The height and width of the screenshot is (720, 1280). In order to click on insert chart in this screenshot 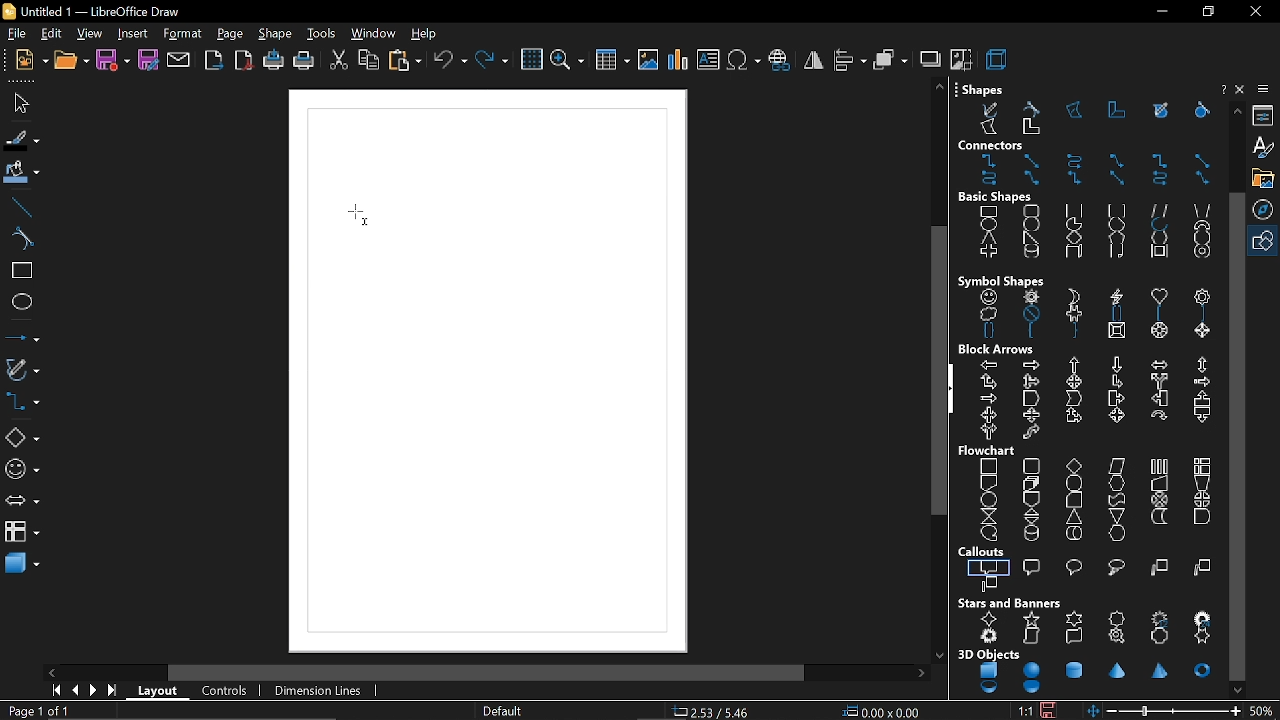, I will do `click(676, 60)`.